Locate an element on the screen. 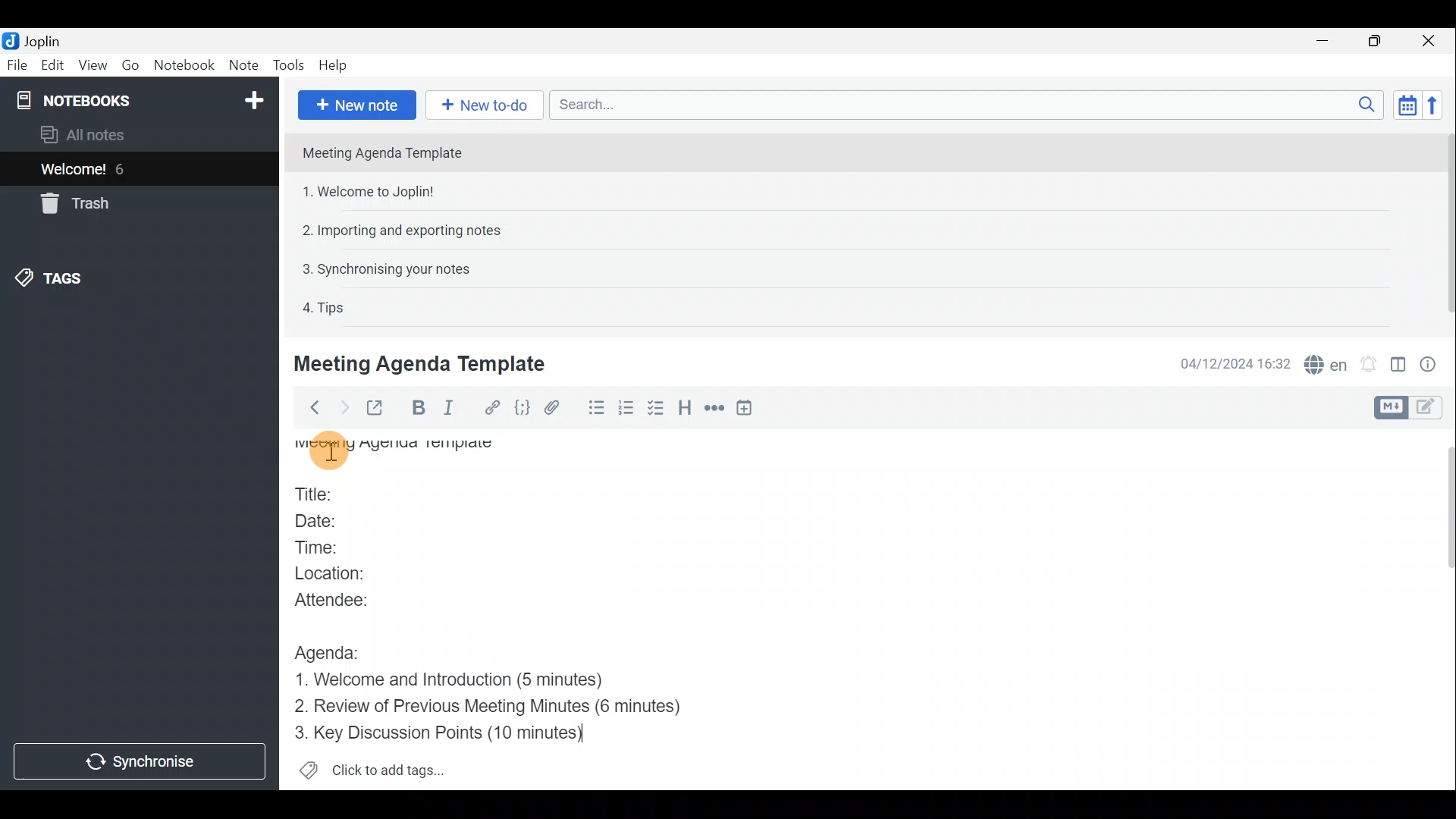 This screenshot has width=1456, height=819. Toggle editors is located at coordinates (1389, 408).